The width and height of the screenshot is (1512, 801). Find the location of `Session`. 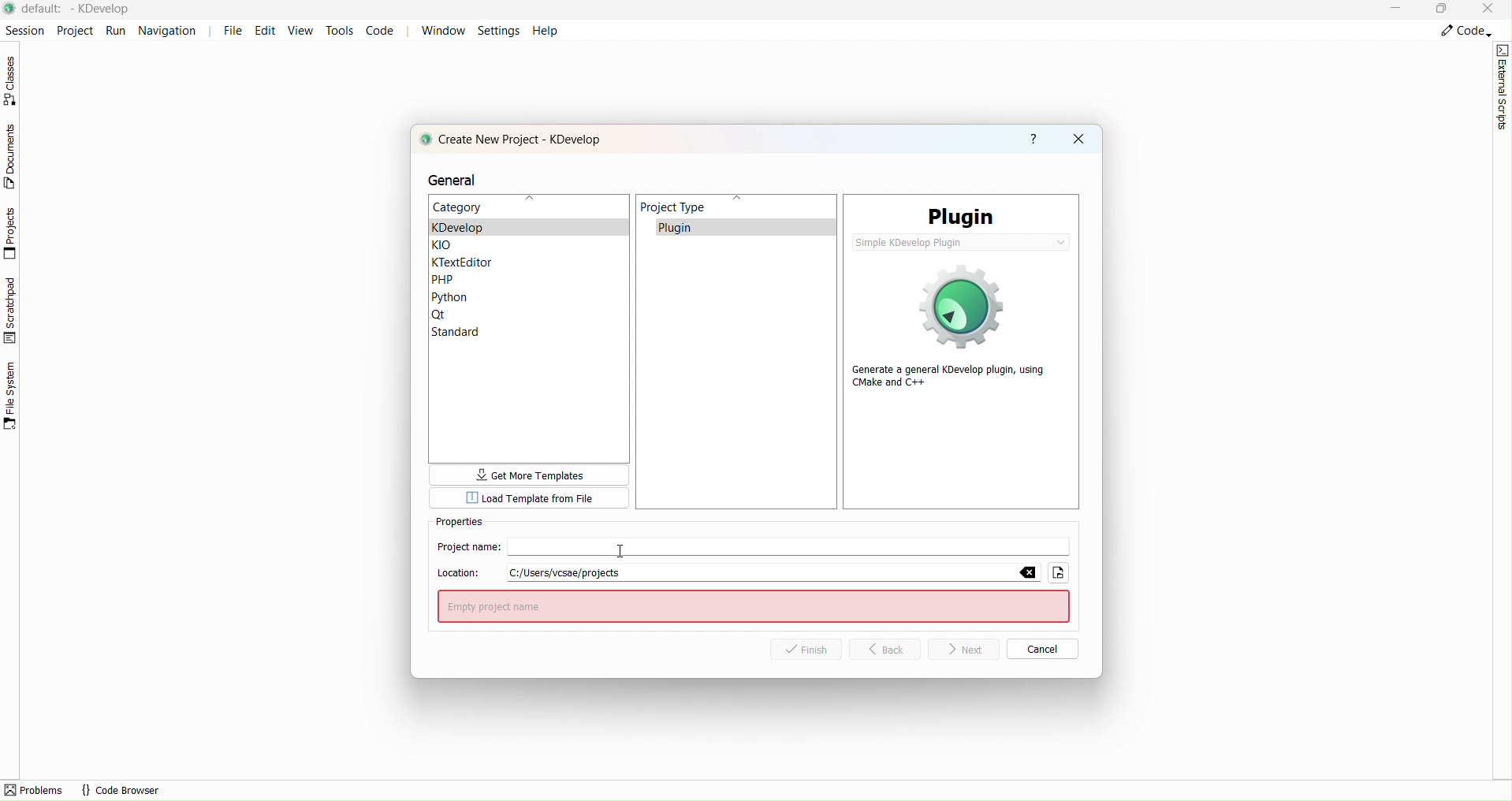

Session is located at coordinates (23, 28).